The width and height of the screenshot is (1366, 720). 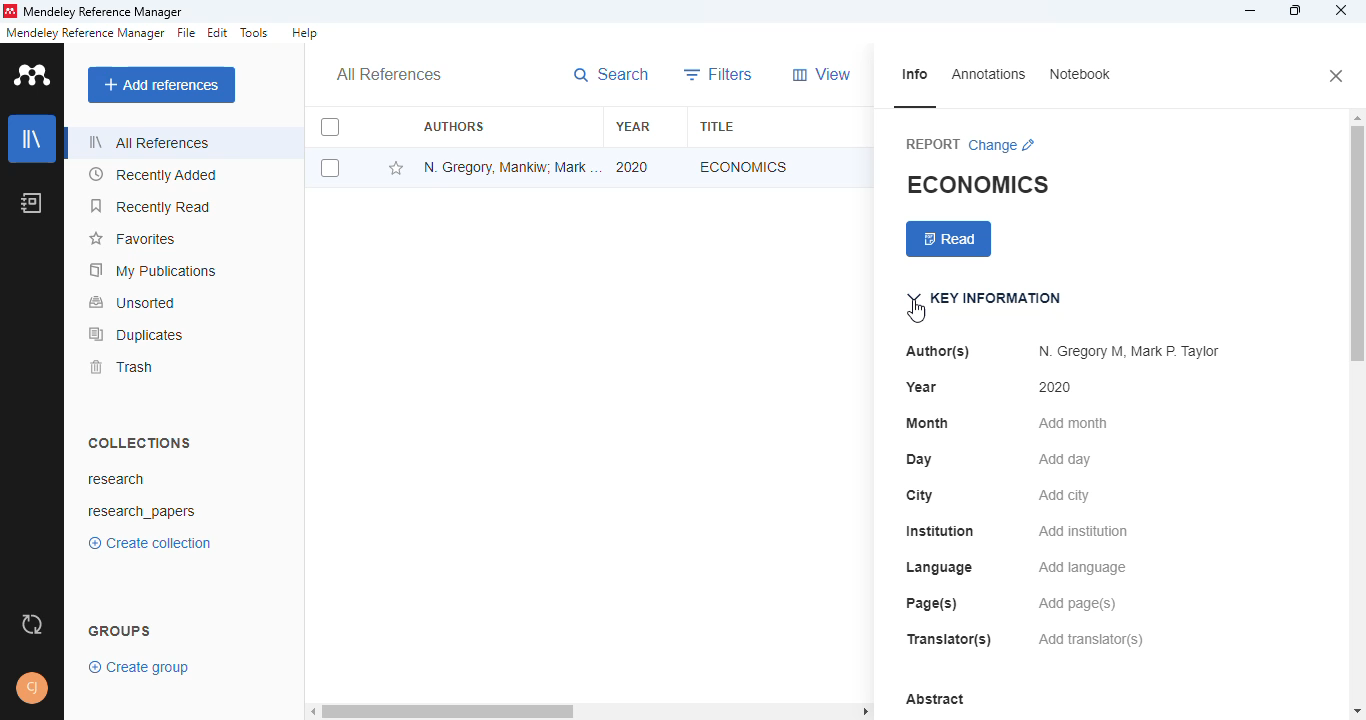 I want to click on logo, so click(x=34, y=76).